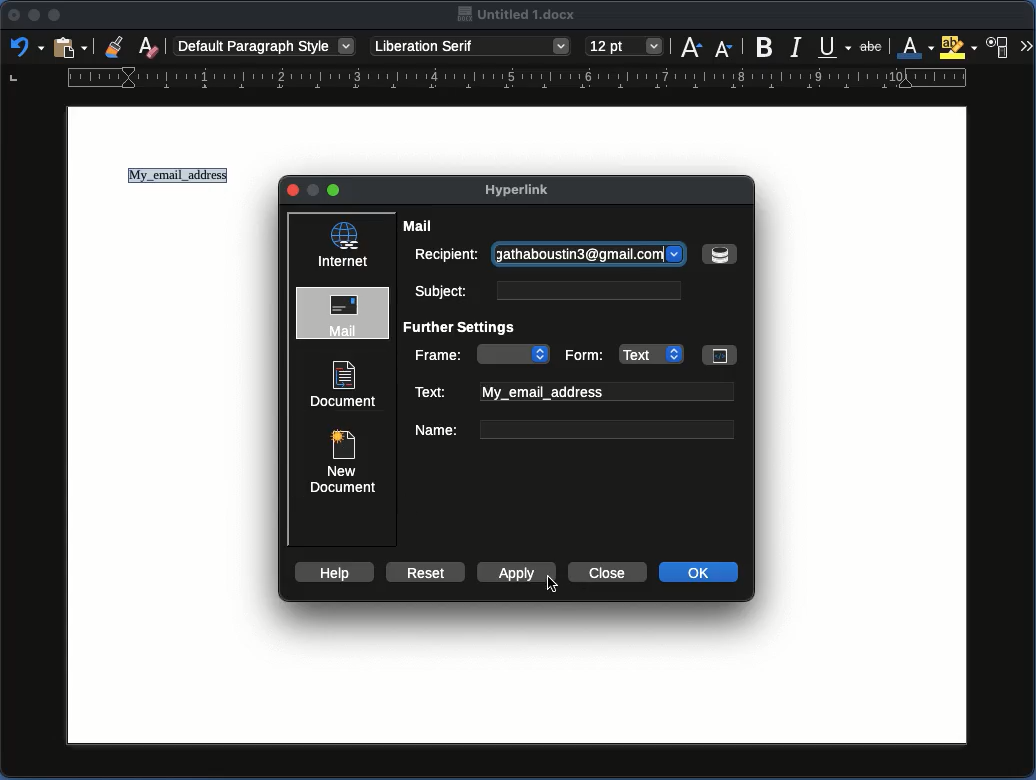  What do you see at coordinates (605, 572) in the screenshot?
I see `Close` at bounding box center [605, 572].